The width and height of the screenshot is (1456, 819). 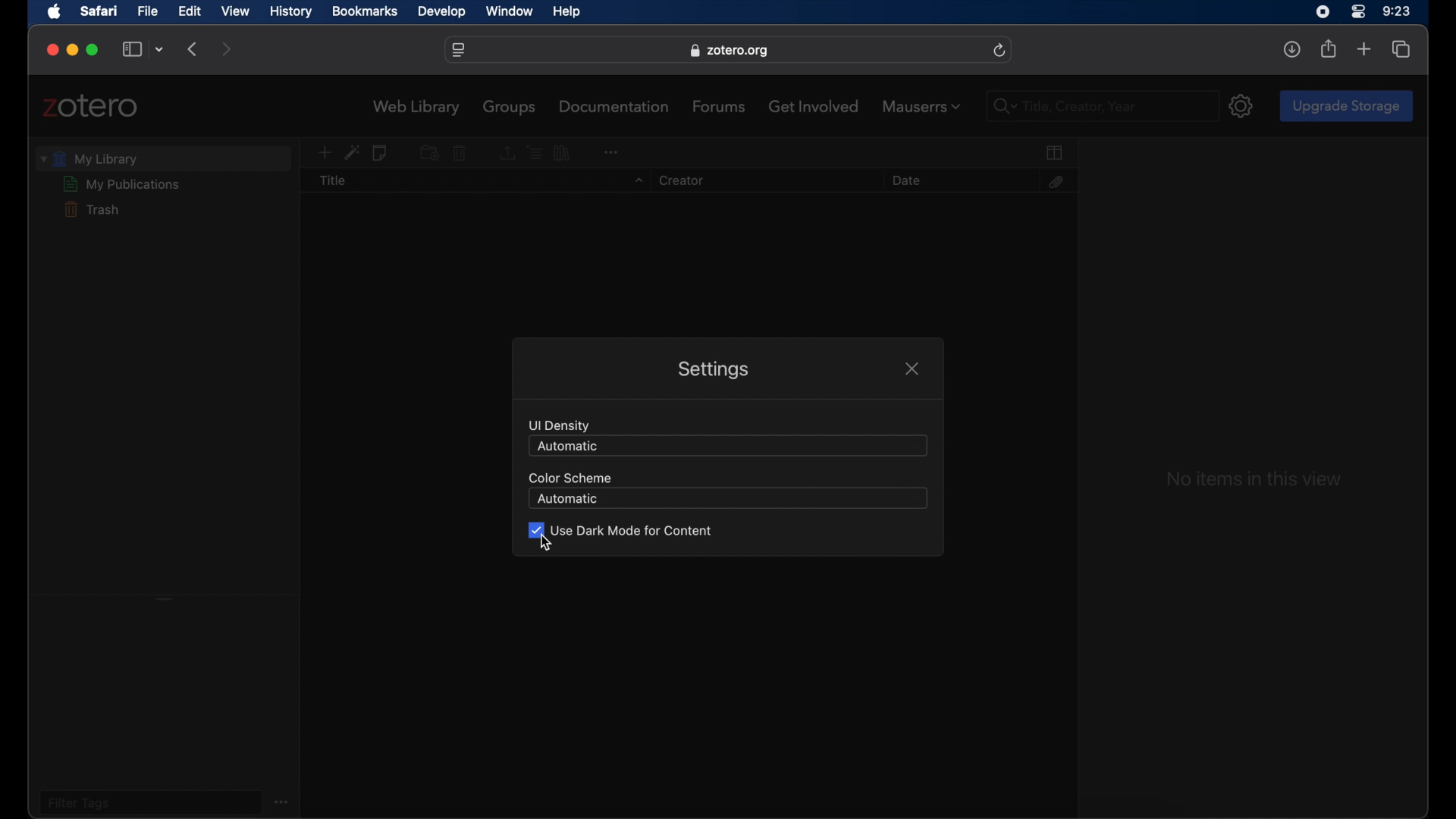 I want to click on zotero, so click(x=91, y=106).